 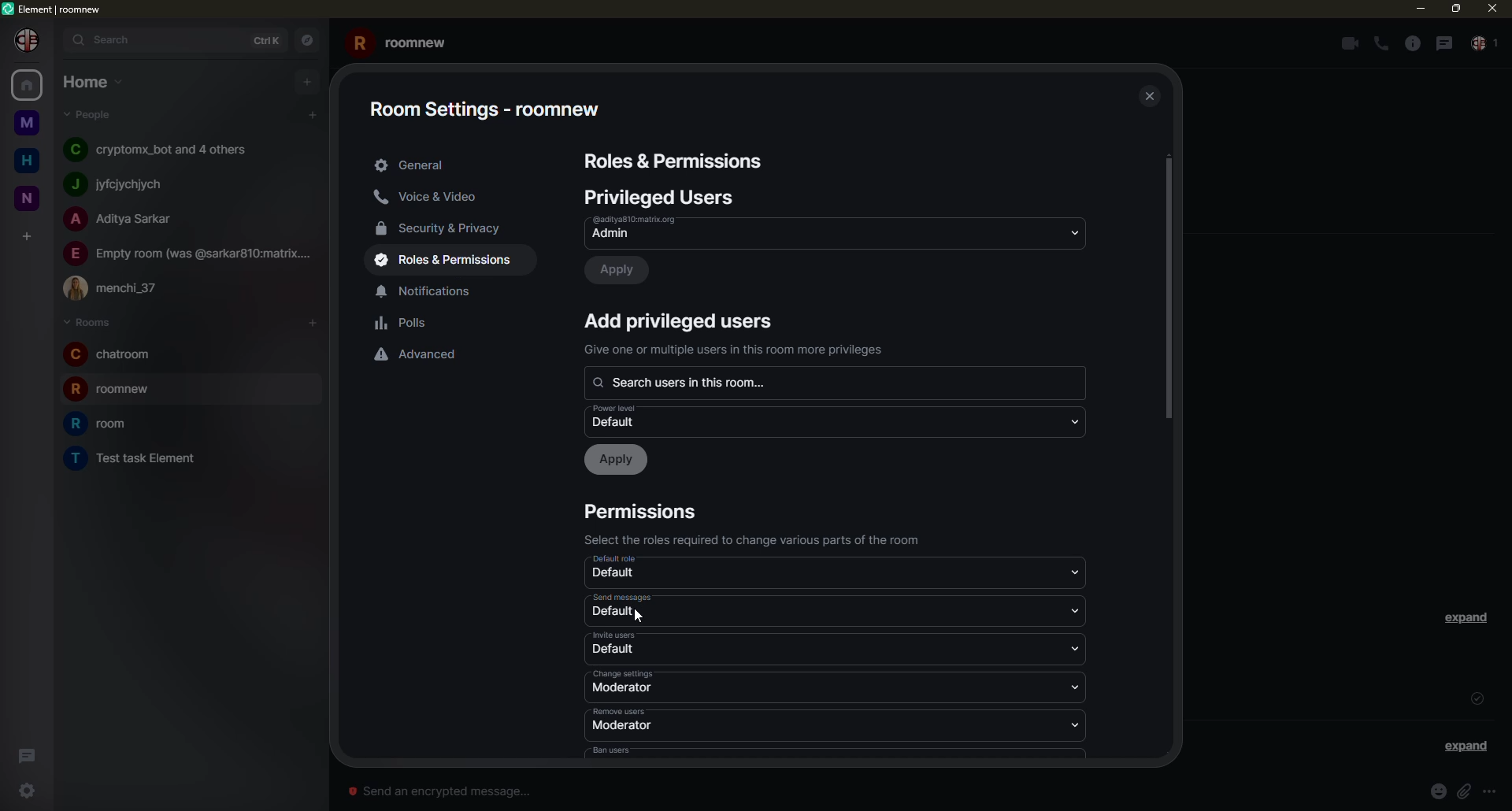 I want to click on rooms, so click(x=87, y=321).